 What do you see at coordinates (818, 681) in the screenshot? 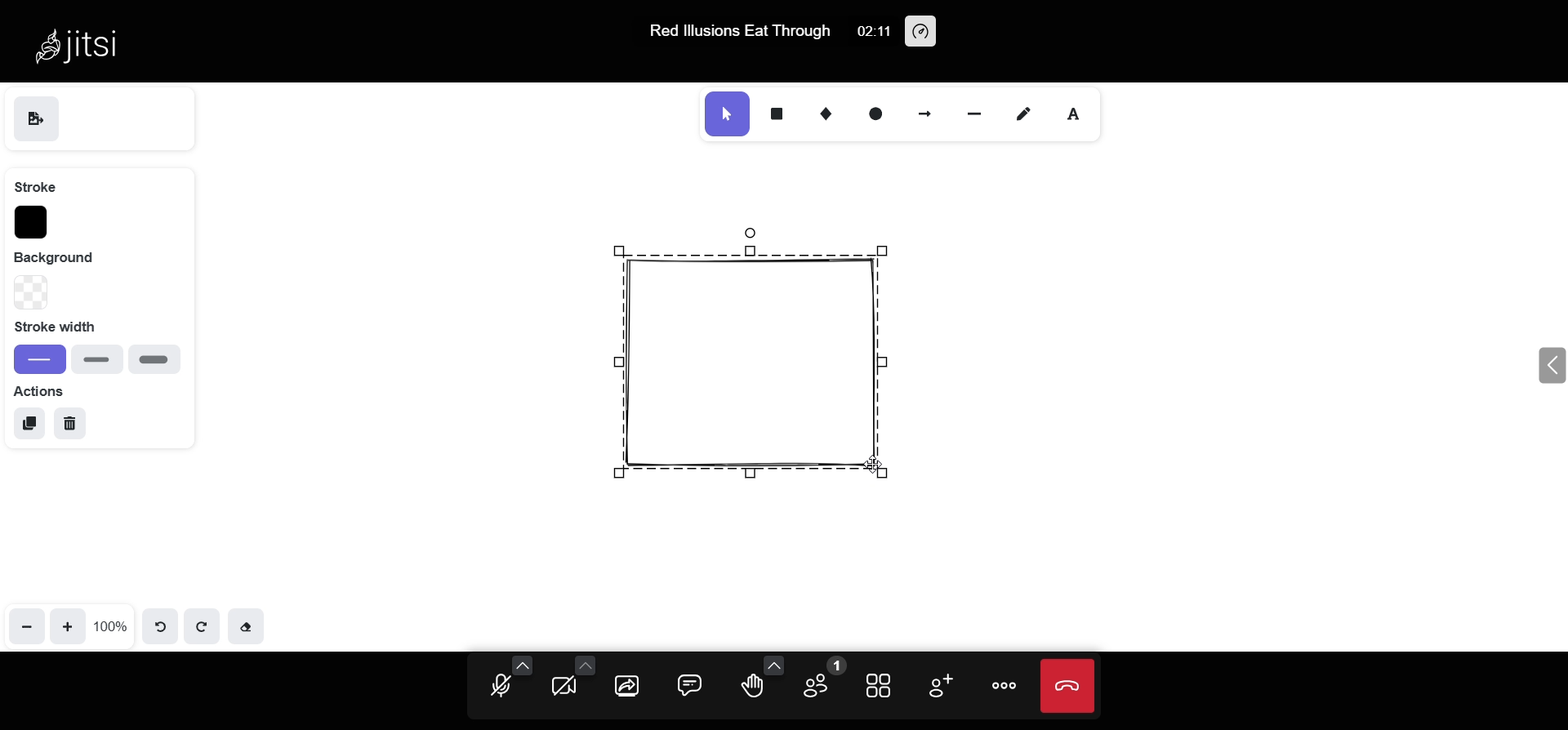
I see `participants` at bounding box center [818, 681].